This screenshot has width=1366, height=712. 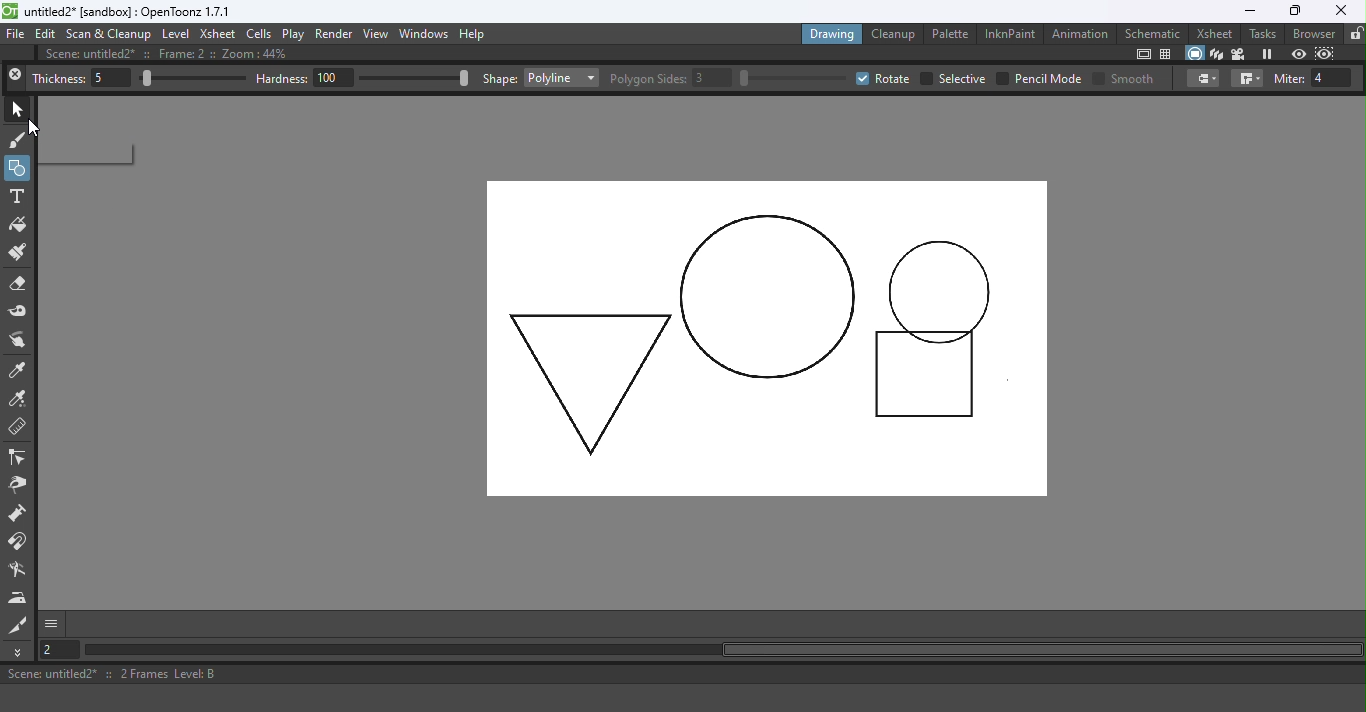 I want to click on Cleanup, so click(x=894, y=34).